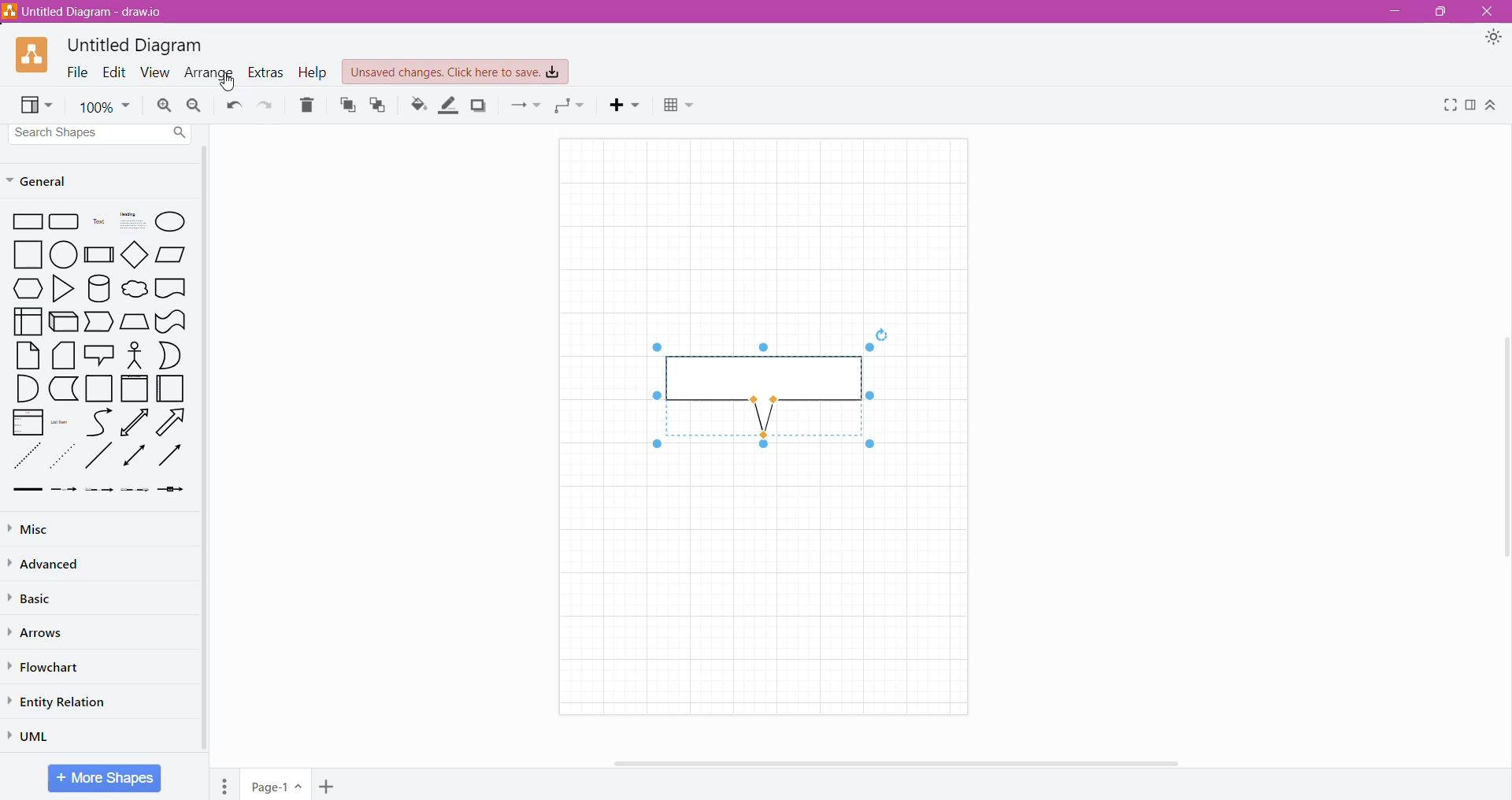 This screenshot has width=1512, height=800. What do you see at coordinates (165, 106) in the screenshot?
I see `zoon in` at bounding box center [165, 106].